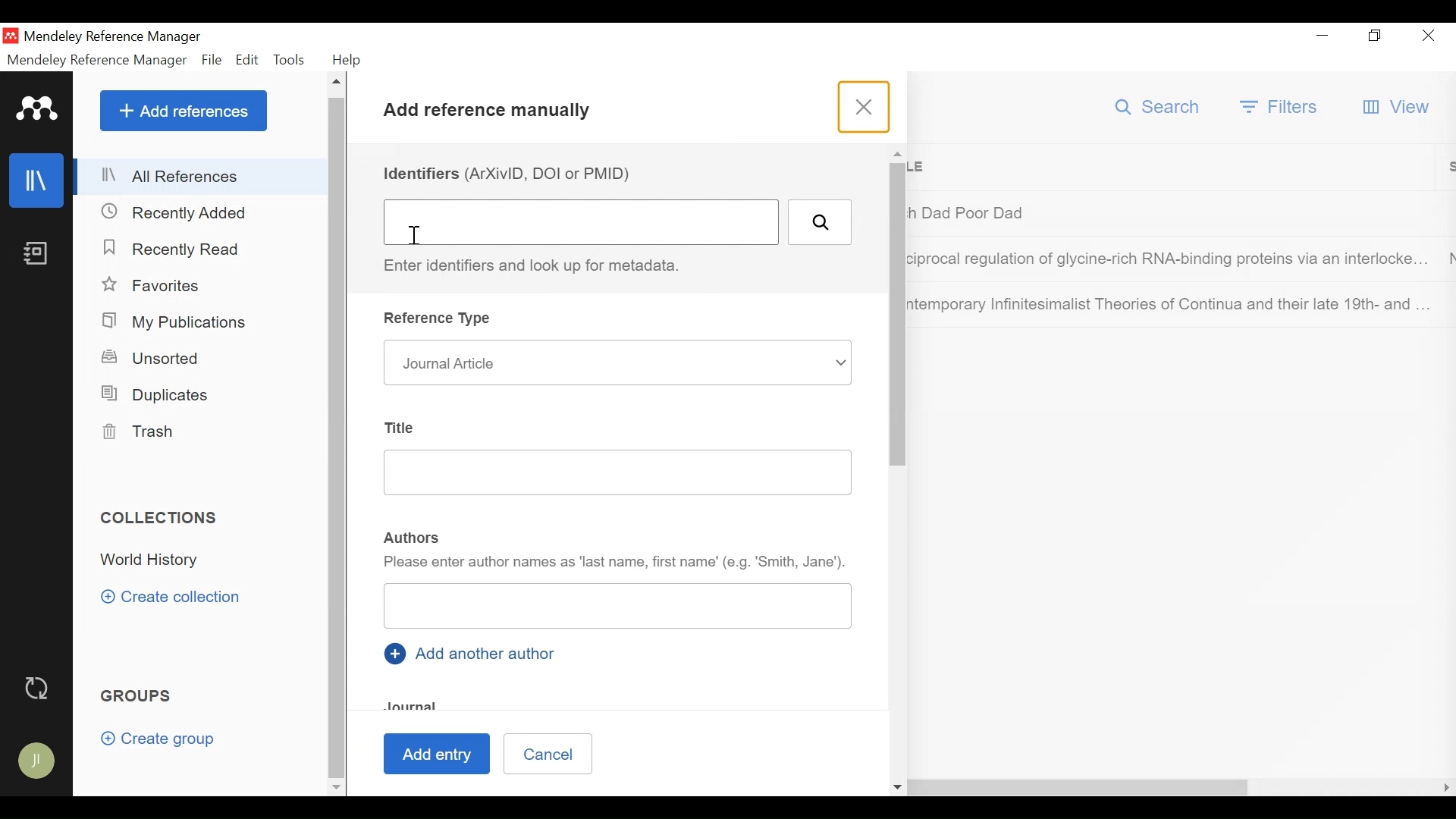 The height and width of the screenshot is (819, 1456). What do you see at coordinates (413, 536) in the screenshot?
I see `Authors` at bounding box center [413, 536].